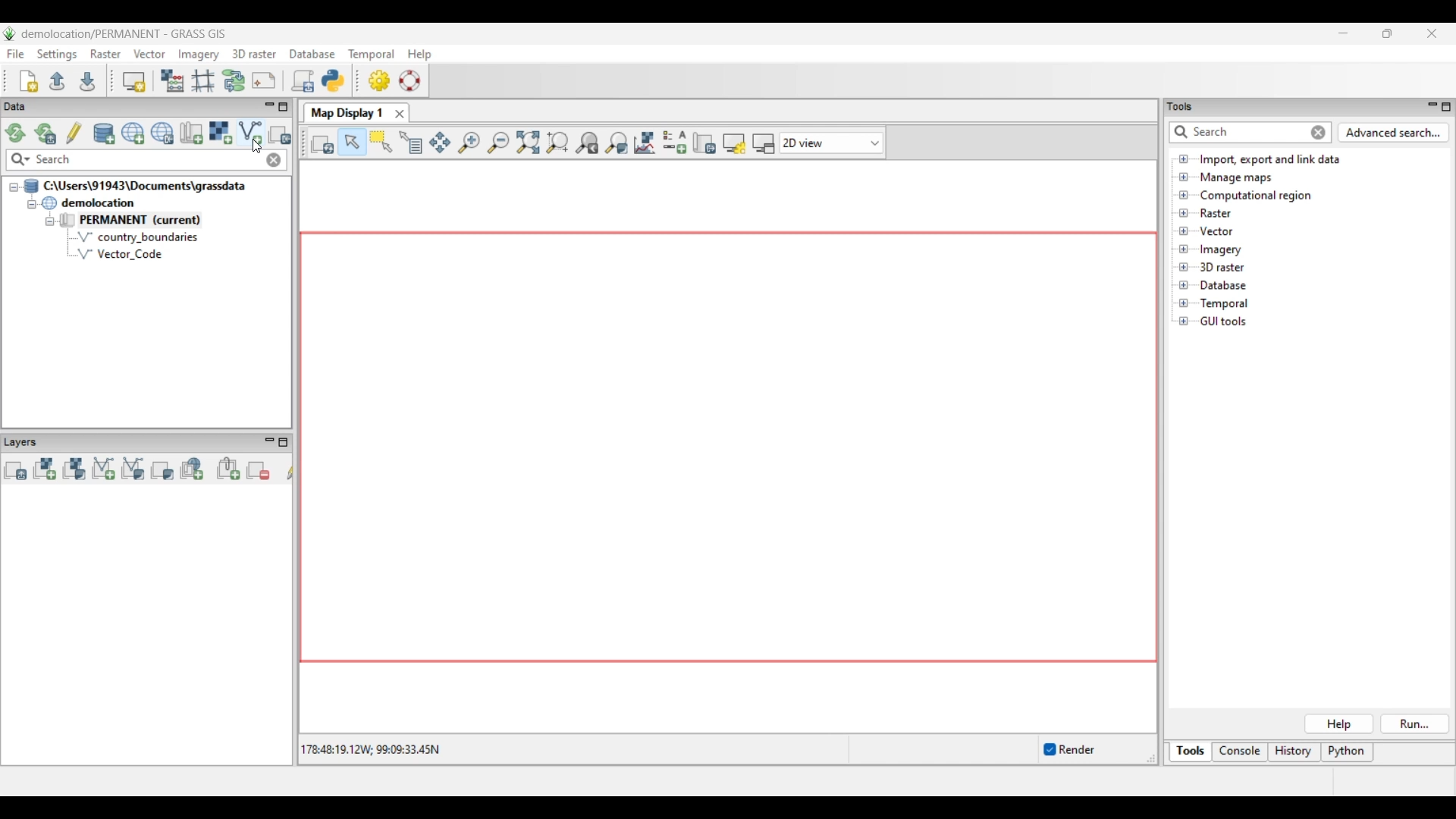  I want to click on Close input for quick search, so click(1319, 133).